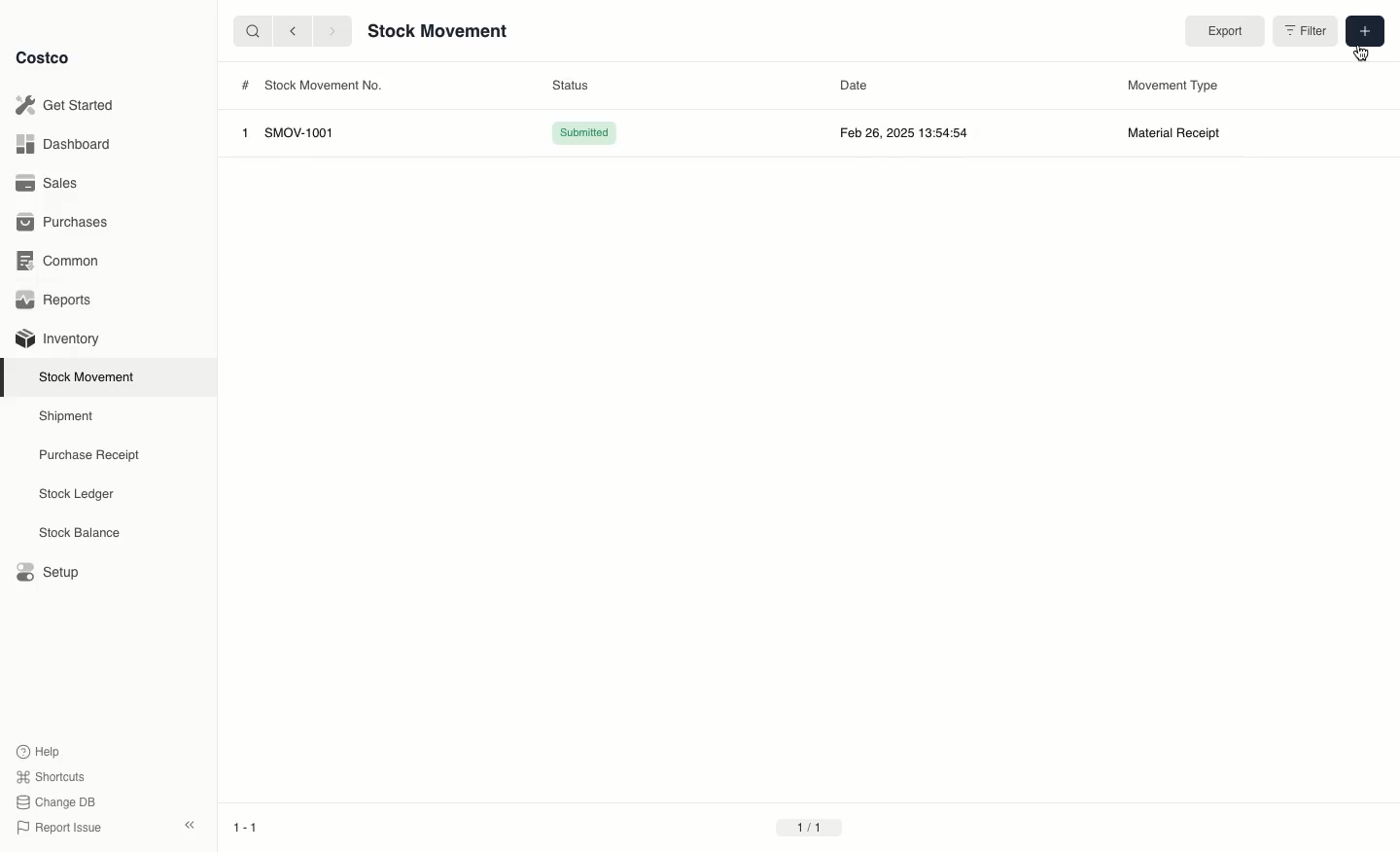  What do you see at coordinates (67, 417) in the screenshot?
I see `Shipment` at bounding box center [67, 417].